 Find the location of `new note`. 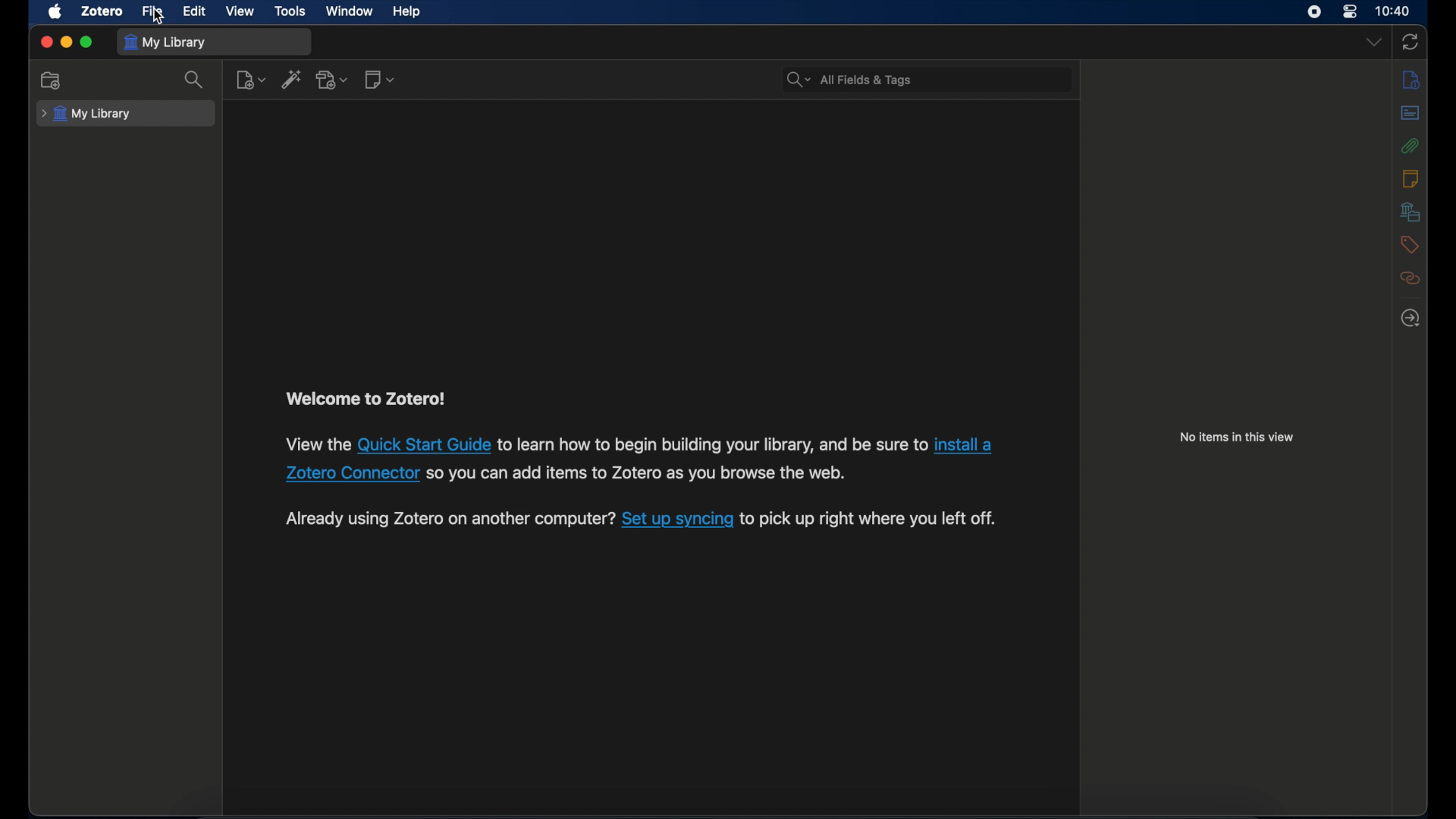

new note is located at coordinates (381, 79).